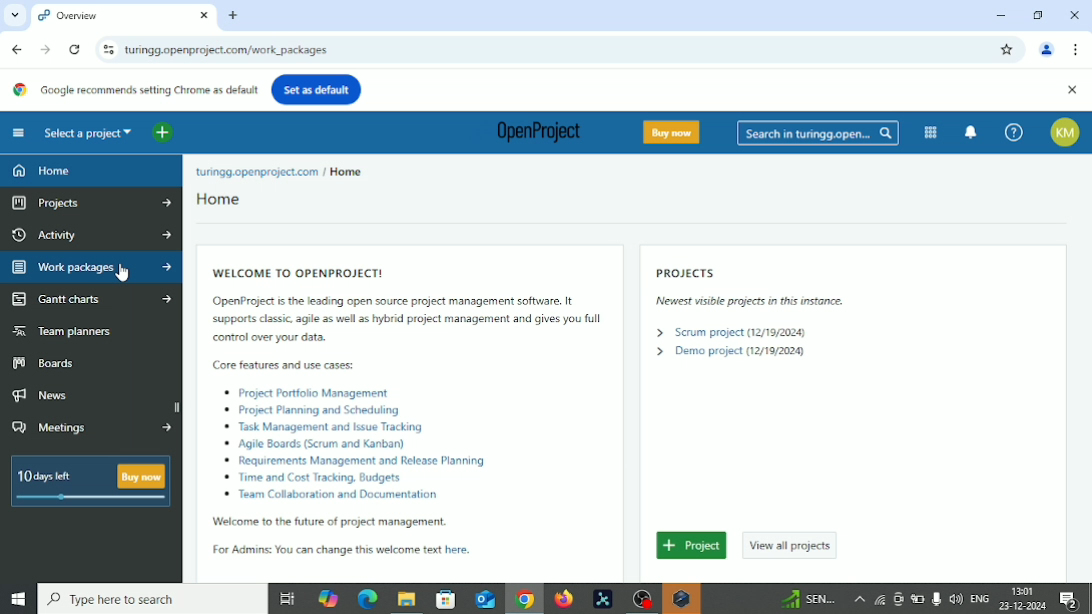 This screenshot has height=614, width=1092. What do you see at coordinates (1024, 589) in the screenshot?
I see `Time` at bounding box center [1024, 589].